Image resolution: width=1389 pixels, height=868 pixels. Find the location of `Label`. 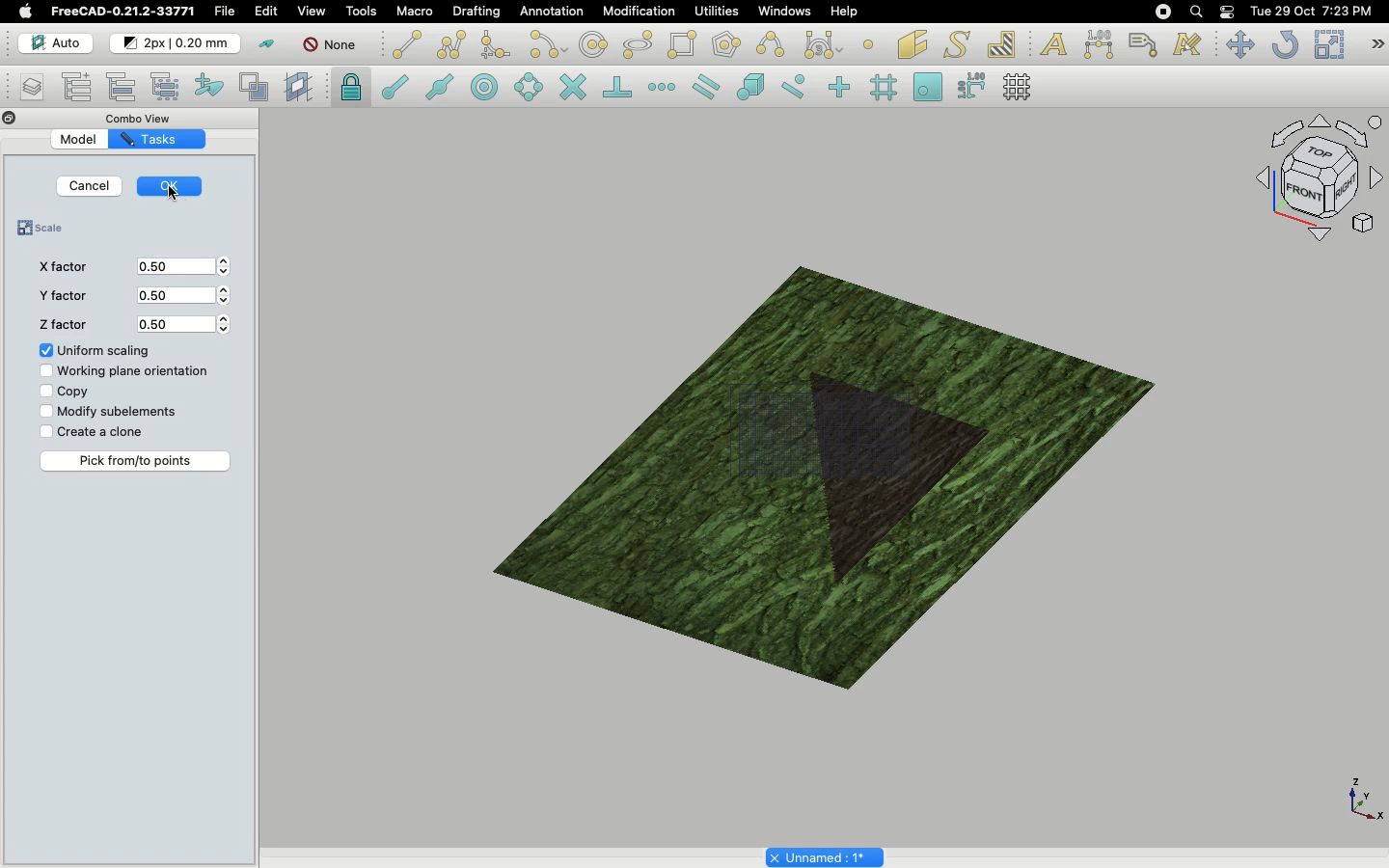

Label is located at coordinates (1144, 42).